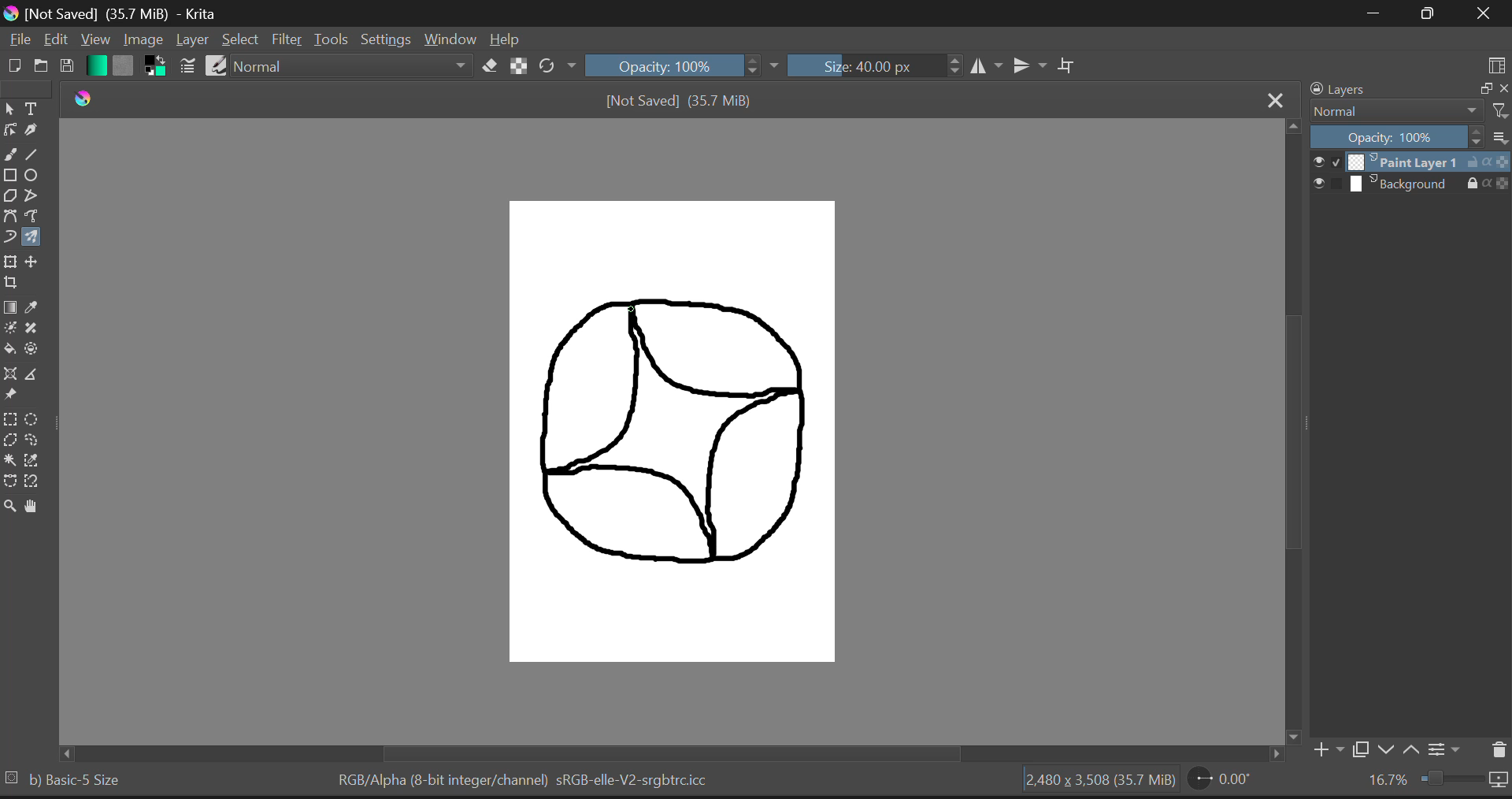  Describe the element at coordinates (9, 396) in the screenshot. I see `Reference Images` at that location.